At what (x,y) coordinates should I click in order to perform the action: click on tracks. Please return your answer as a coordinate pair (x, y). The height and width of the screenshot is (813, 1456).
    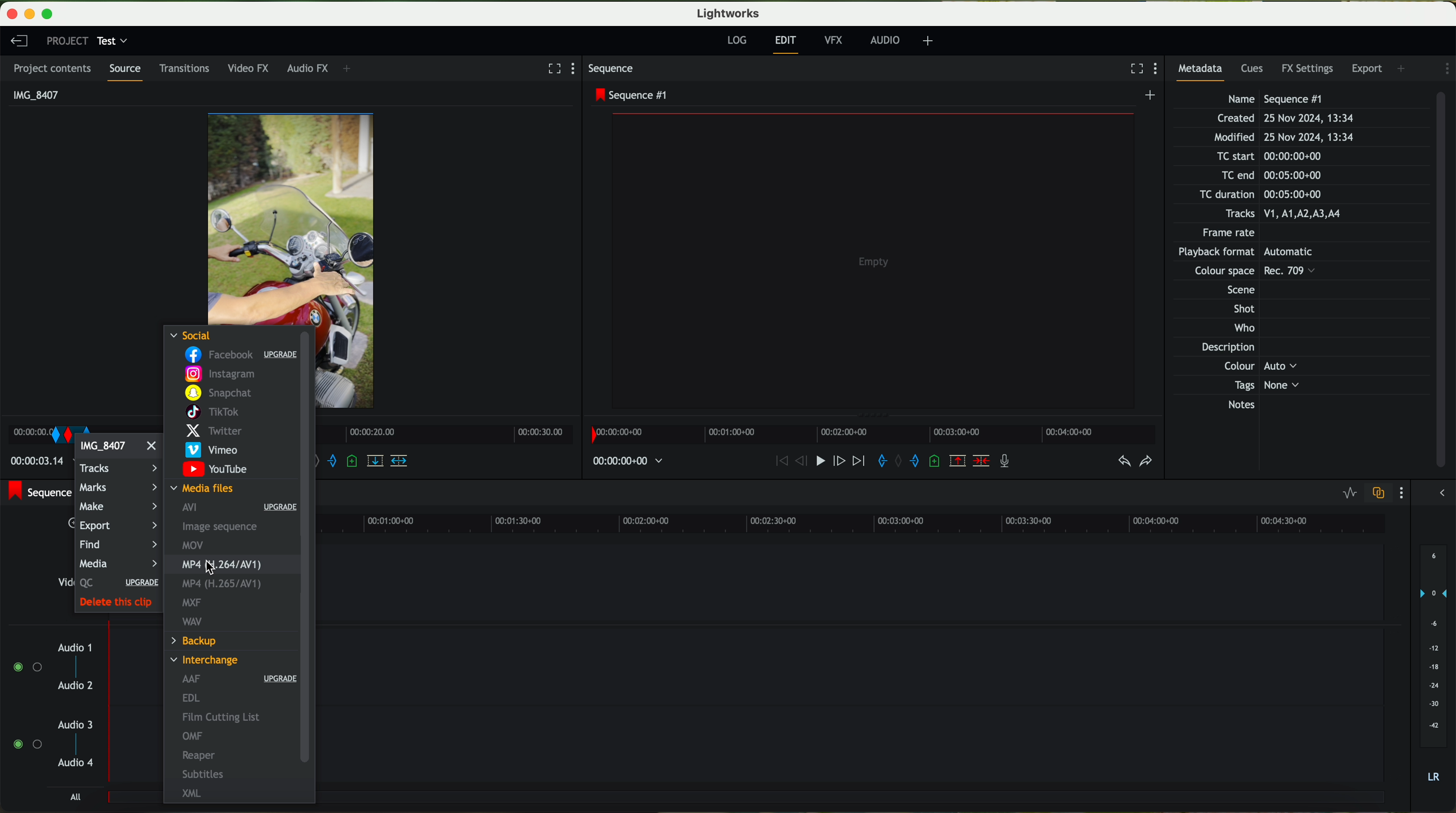
    Looking at the image, I should click on (117, 469).